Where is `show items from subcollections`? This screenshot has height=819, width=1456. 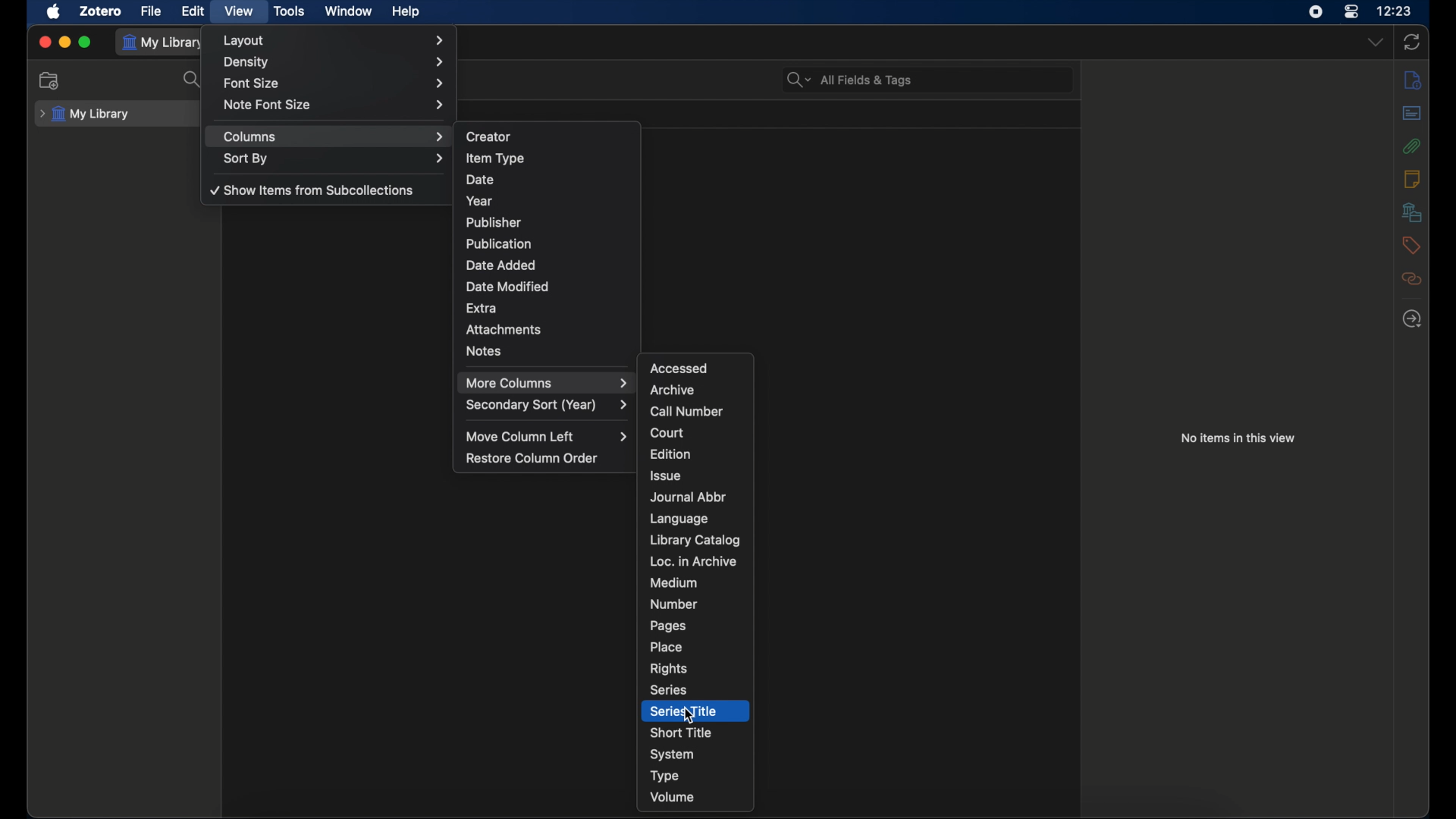
show items from subcollections is located at coordinates (312, 190).